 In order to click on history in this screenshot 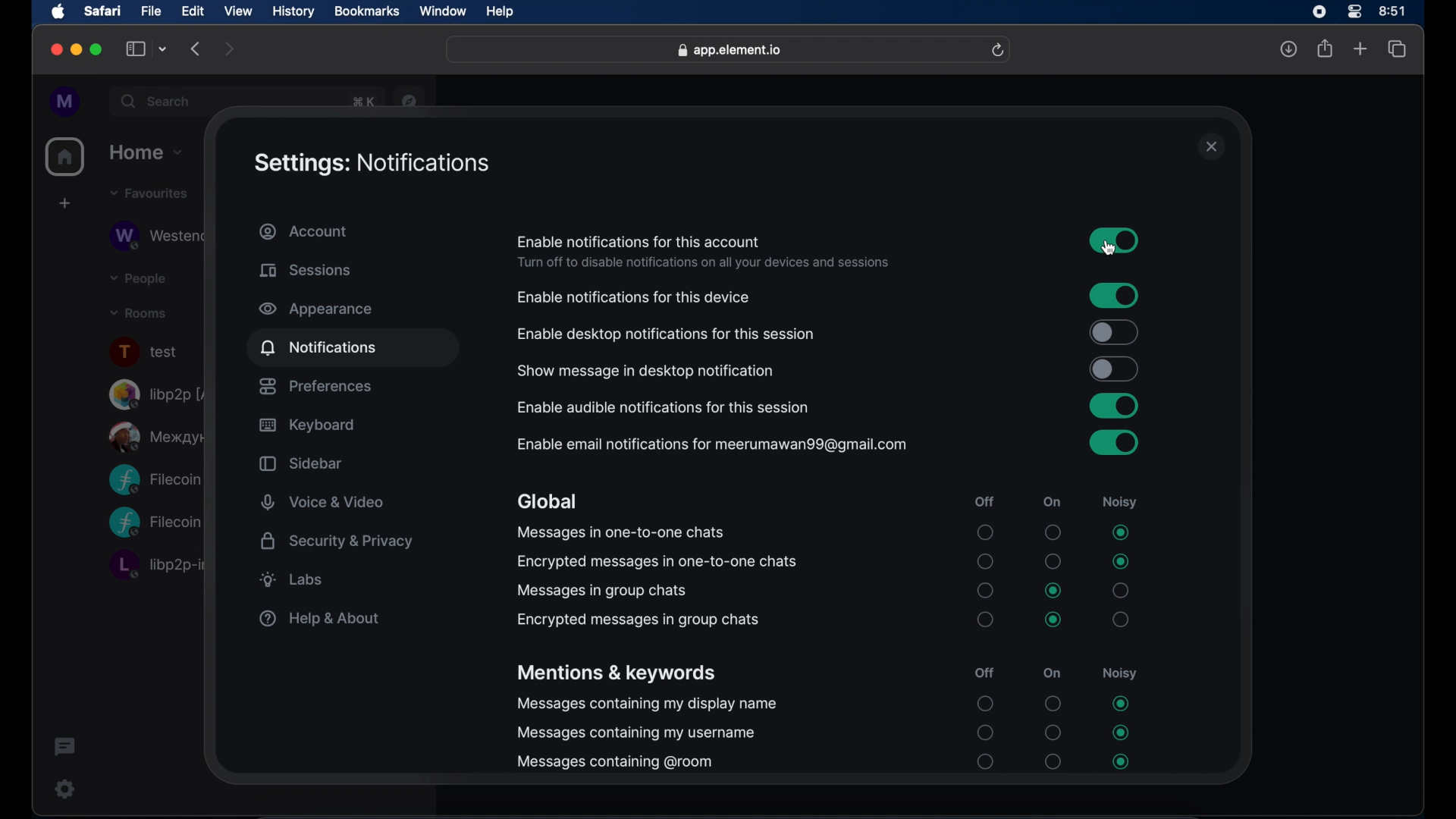, I will do `click(293, 12)`.